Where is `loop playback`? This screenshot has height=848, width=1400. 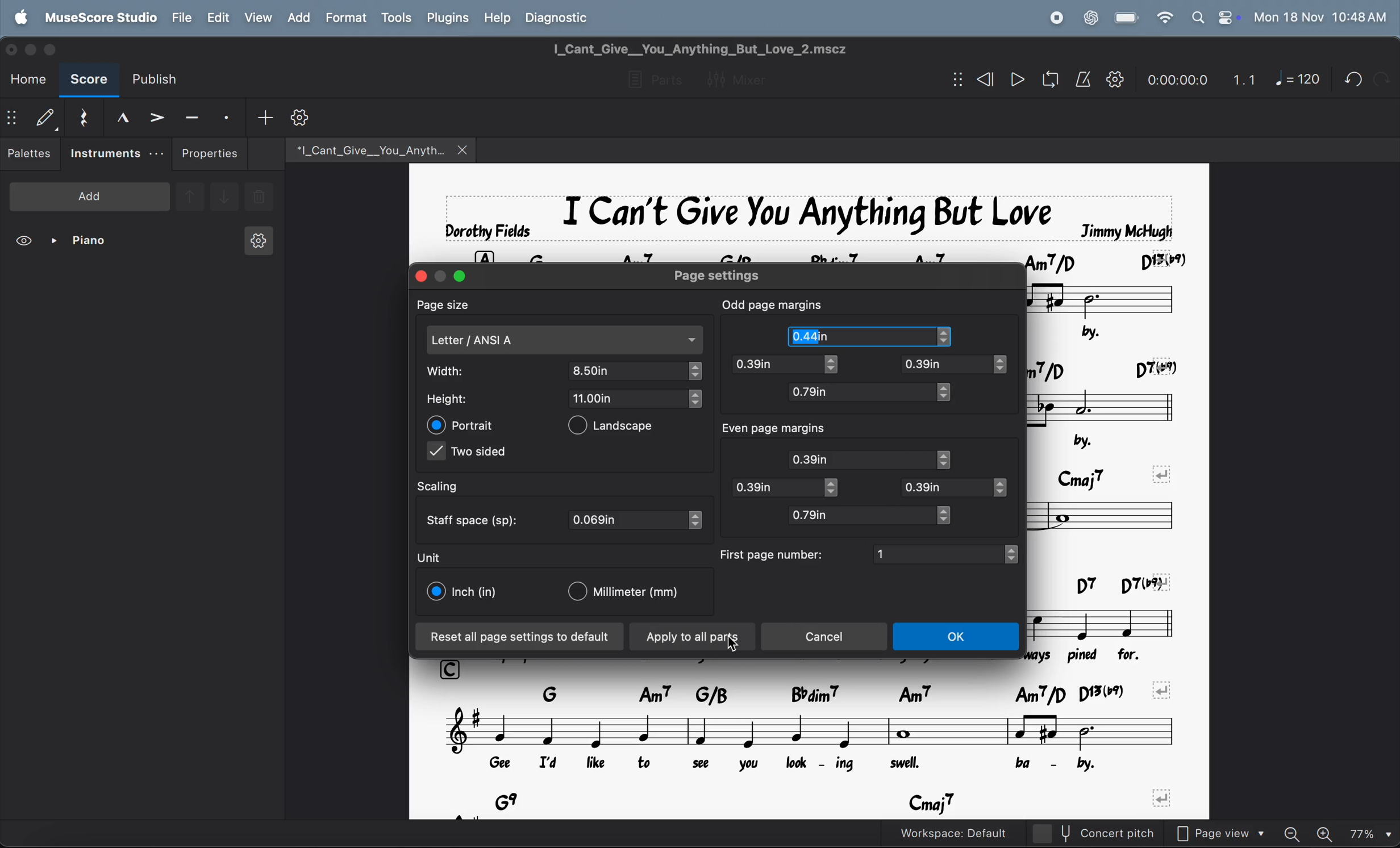 loop playback is located at coordinates (1034, 81).